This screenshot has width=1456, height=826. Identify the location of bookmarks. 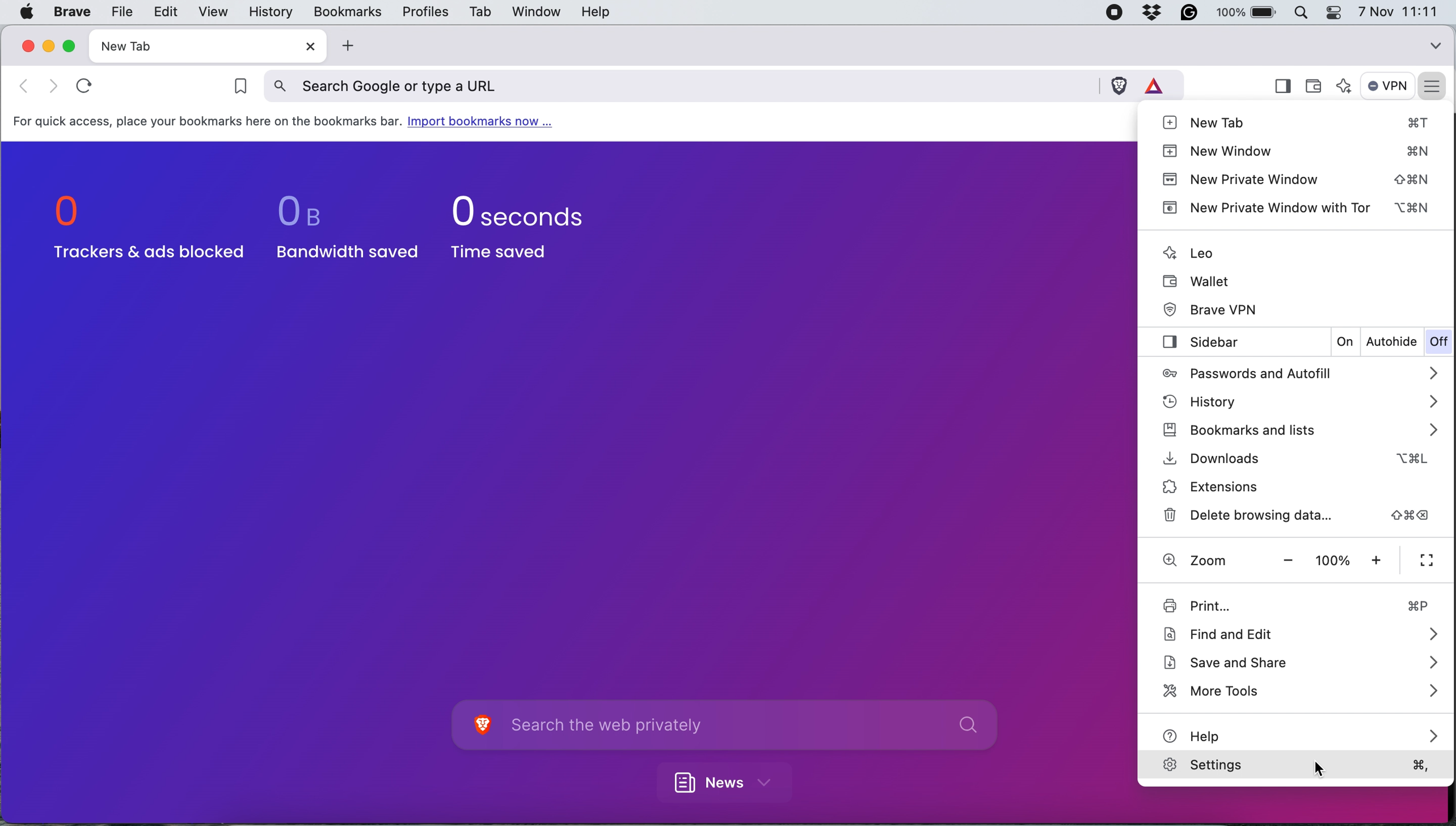
(347, 11).